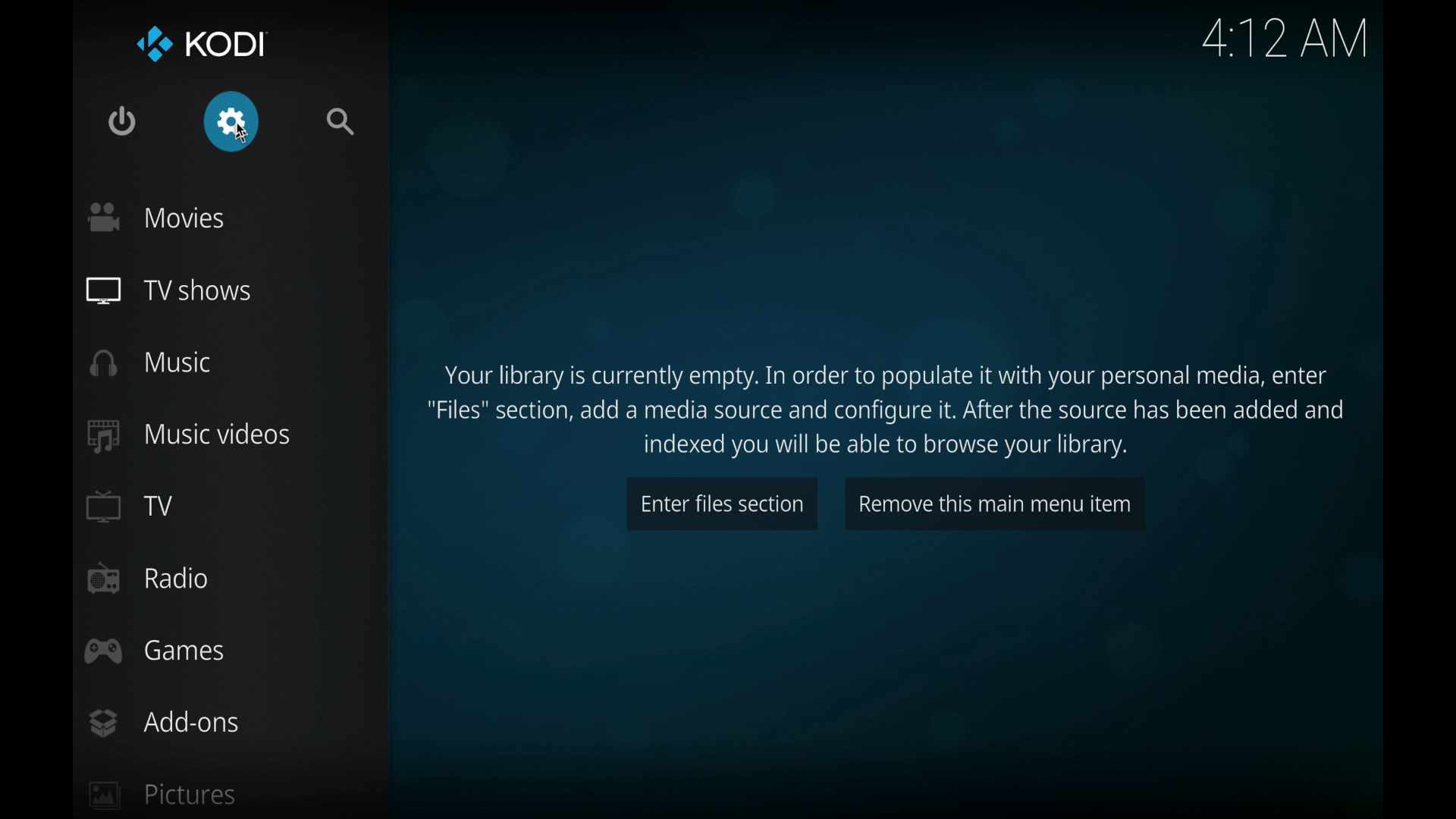  What do you see at coordinates (232, 121) in the screenshot?
I see `settings` at bounding box center [232, 121].